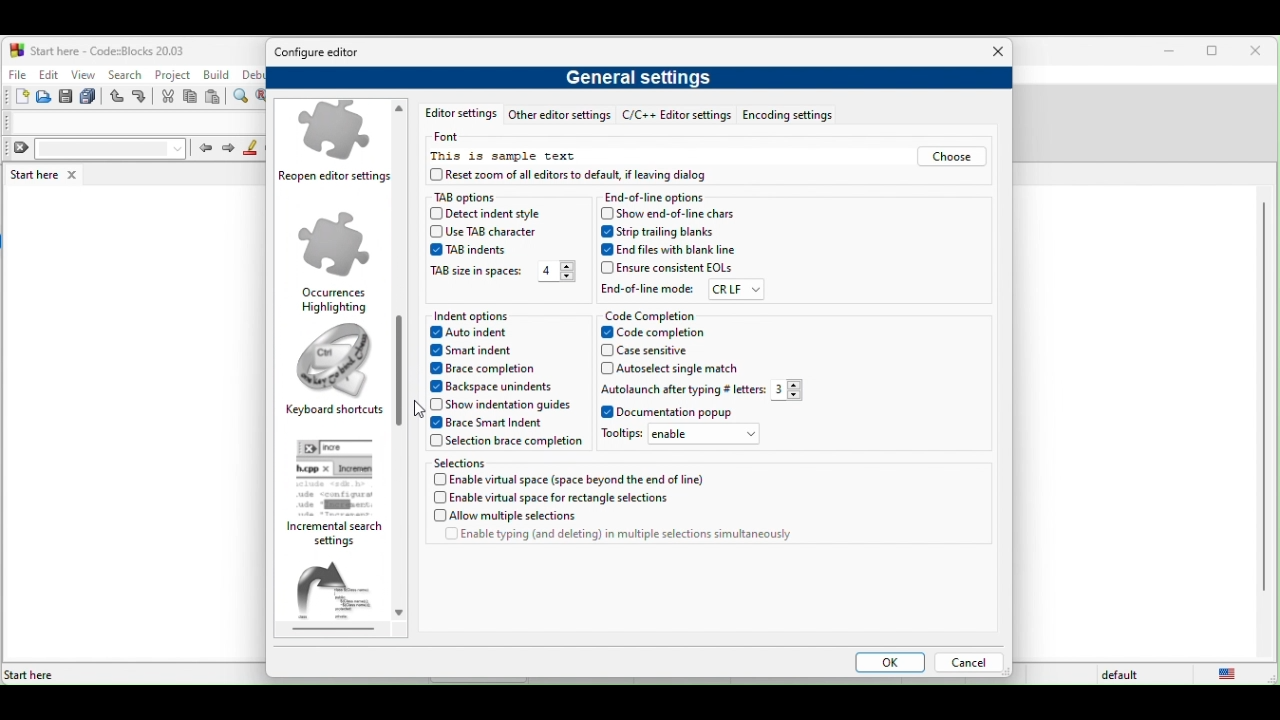 This screenshot has height=720, width=1280. What do you see at coordinates (506, 157) in the screenshot?
I see `this is sample text` at bounding box center [506, 157].